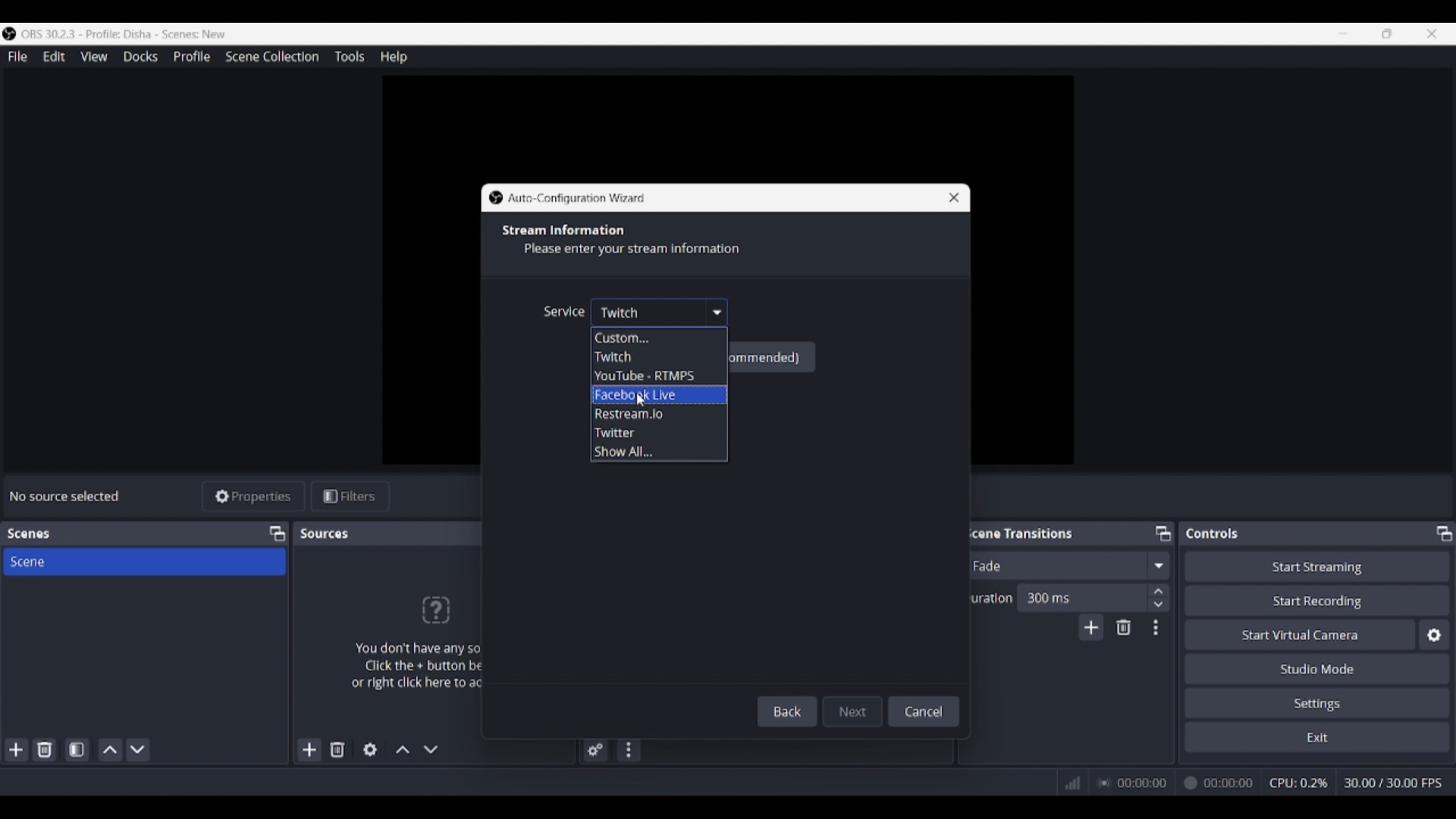 This screenshot has height=819, width=1456. I want to click on Move scene down, so click(137, 750).